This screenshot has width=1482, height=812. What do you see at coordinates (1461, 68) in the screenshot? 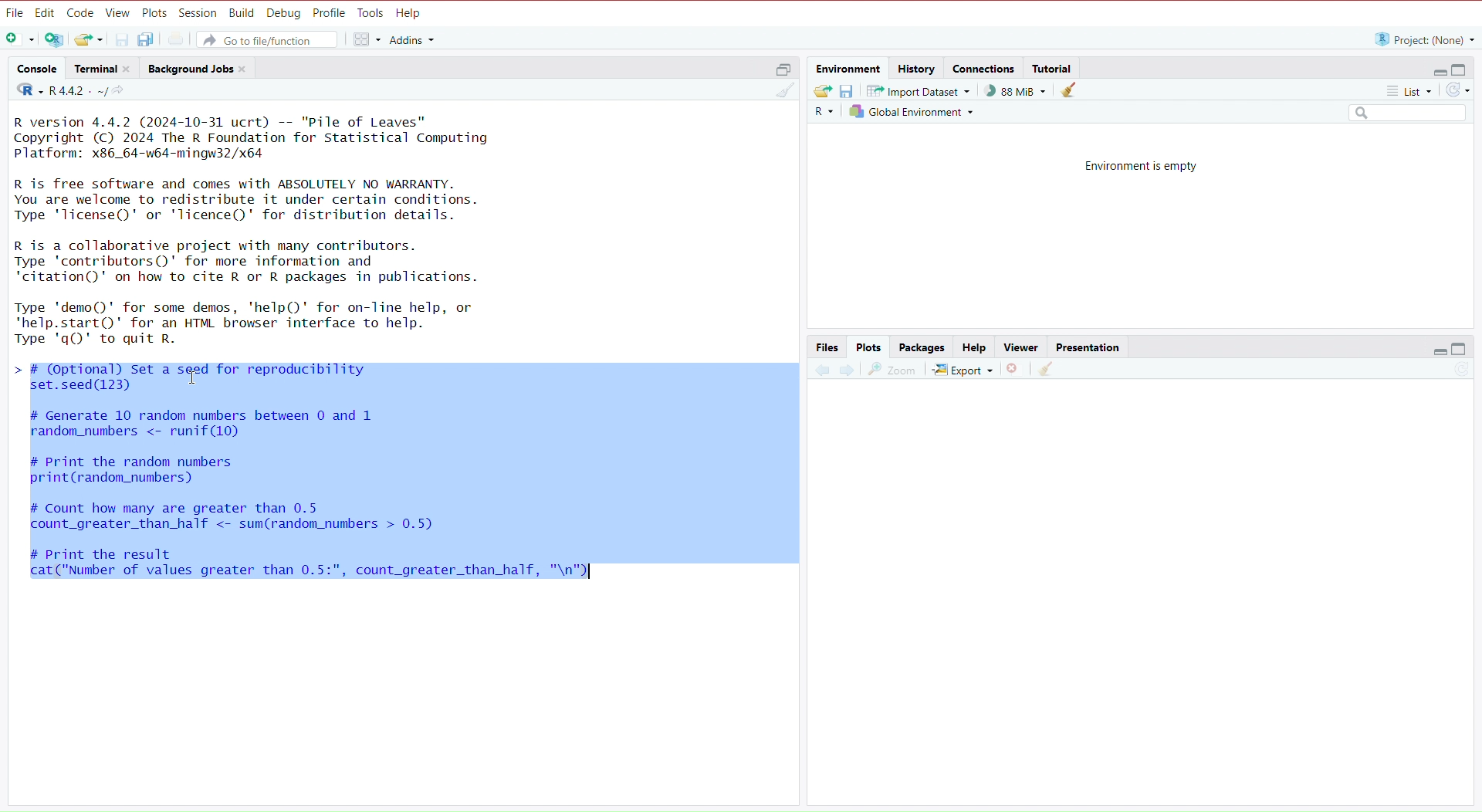
I see `Full Height` at bounding box center [1461, 68].